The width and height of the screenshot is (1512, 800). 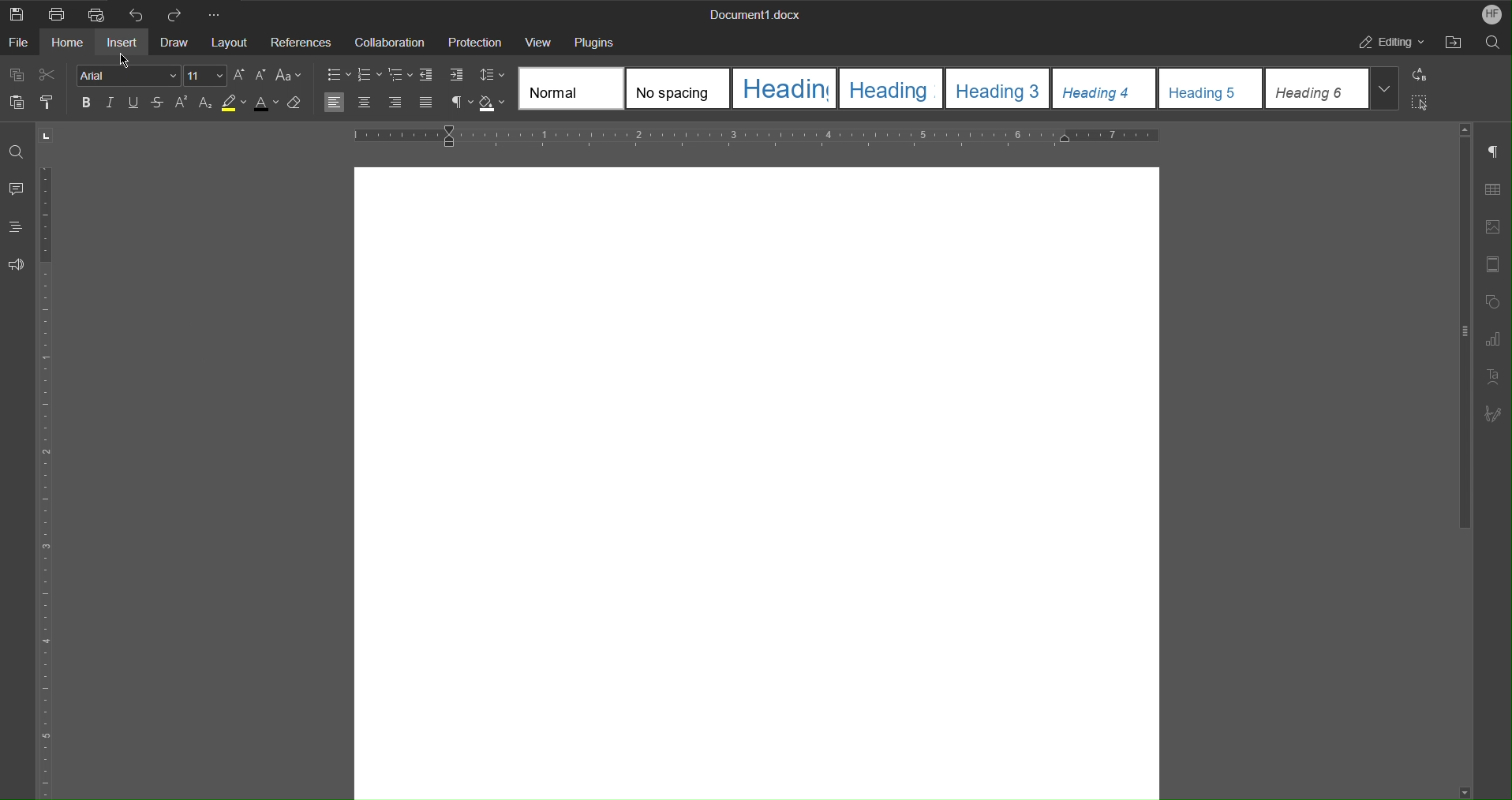 I want to click on Left Align, so click(x=335, y=102).